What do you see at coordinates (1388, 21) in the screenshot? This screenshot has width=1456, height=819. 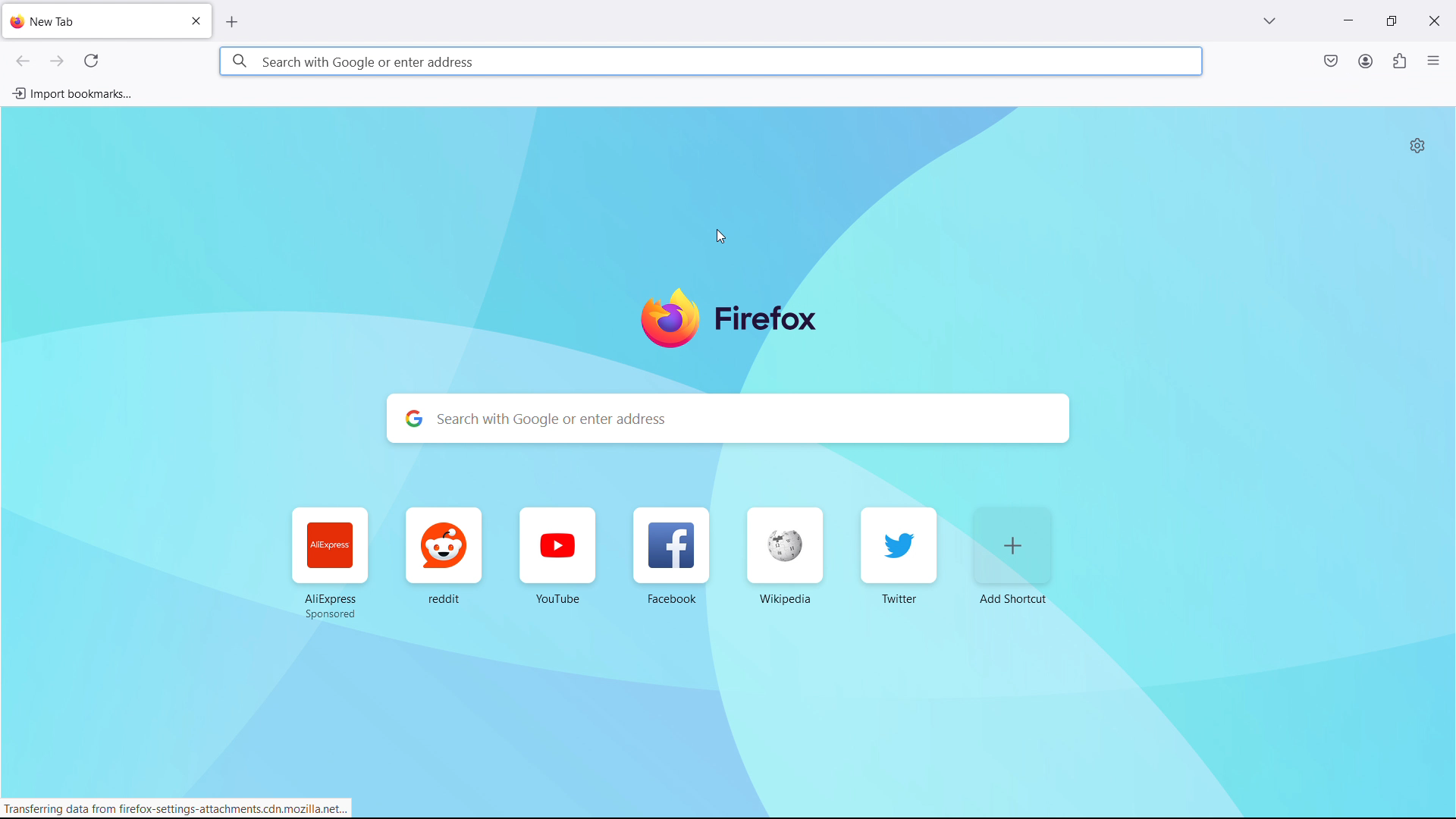 I see `maximize` at bounding box center [1388, 21].